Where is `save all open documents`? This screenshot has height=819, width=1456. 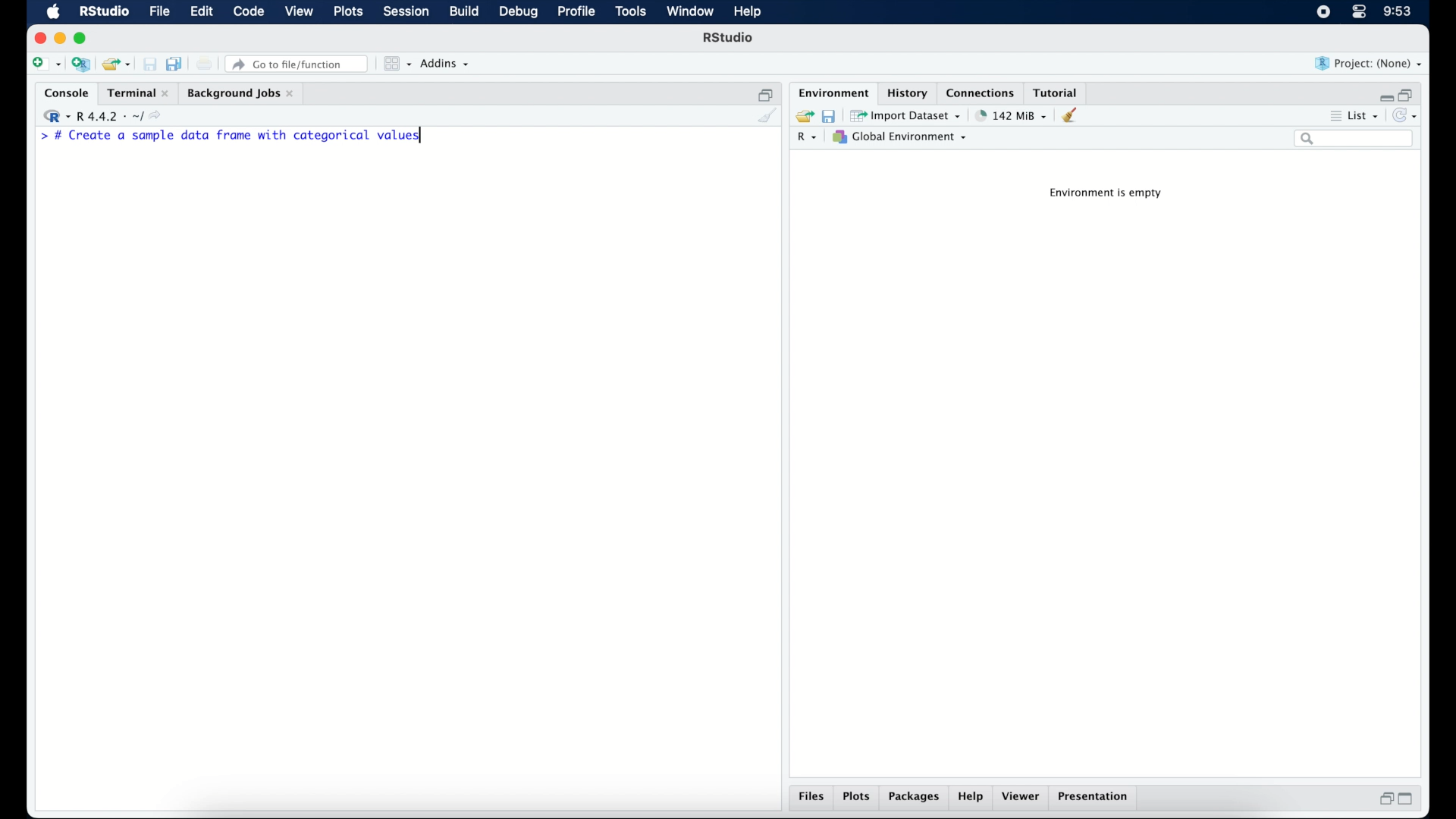
save all open documents is located at coordinates (174, 62).